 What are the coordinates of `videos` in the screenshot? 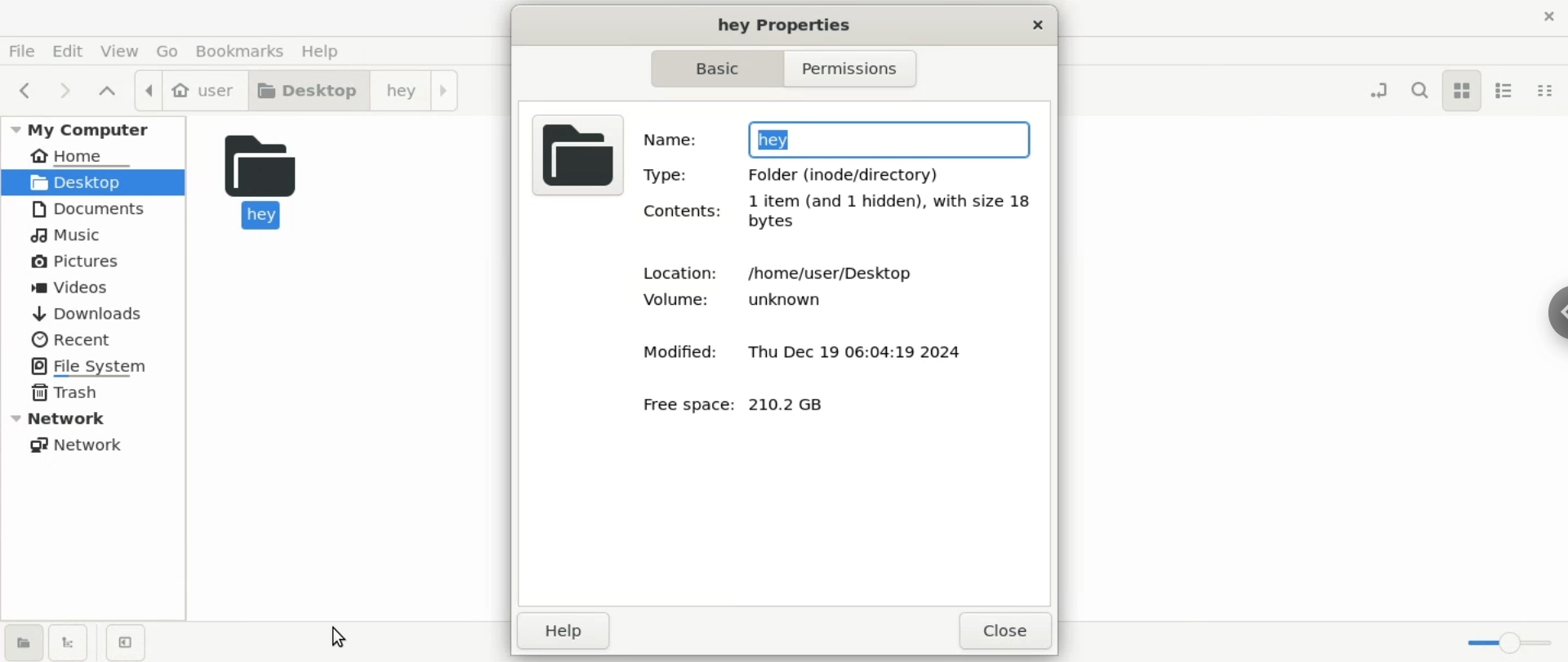 It's located at (96, 289).